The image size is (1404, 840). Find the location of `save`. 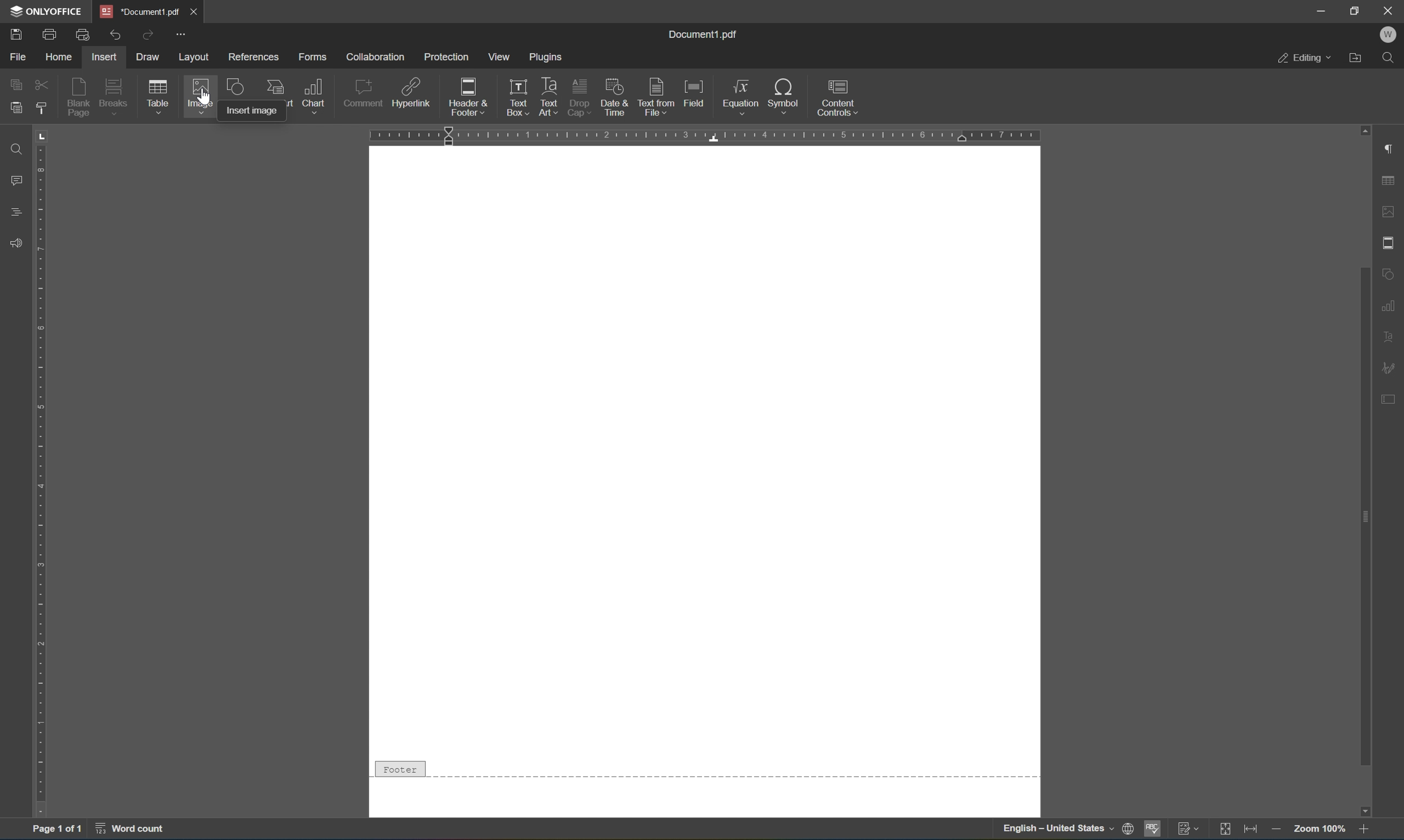

save is located at coordinates (14, 34).